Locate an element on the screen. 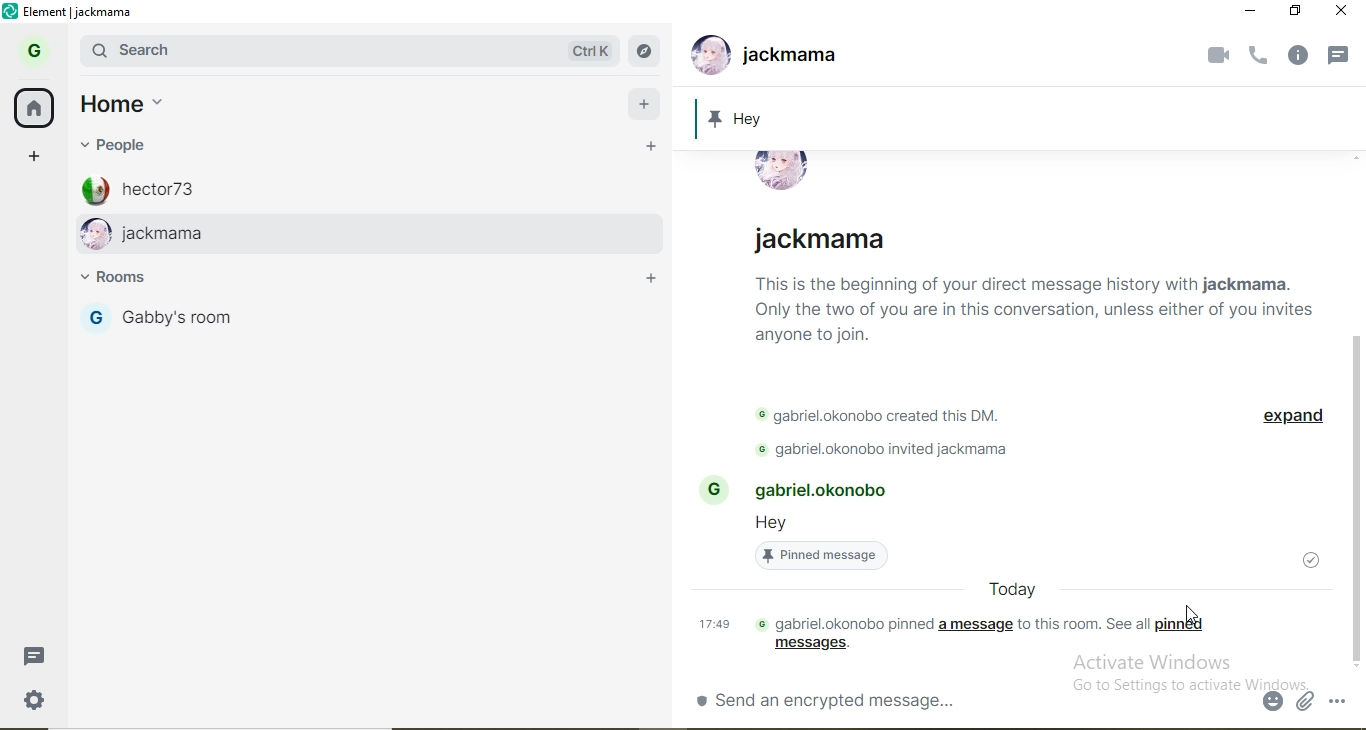 The image size is (1366, 730). text is located at coordinates (1083, 624).